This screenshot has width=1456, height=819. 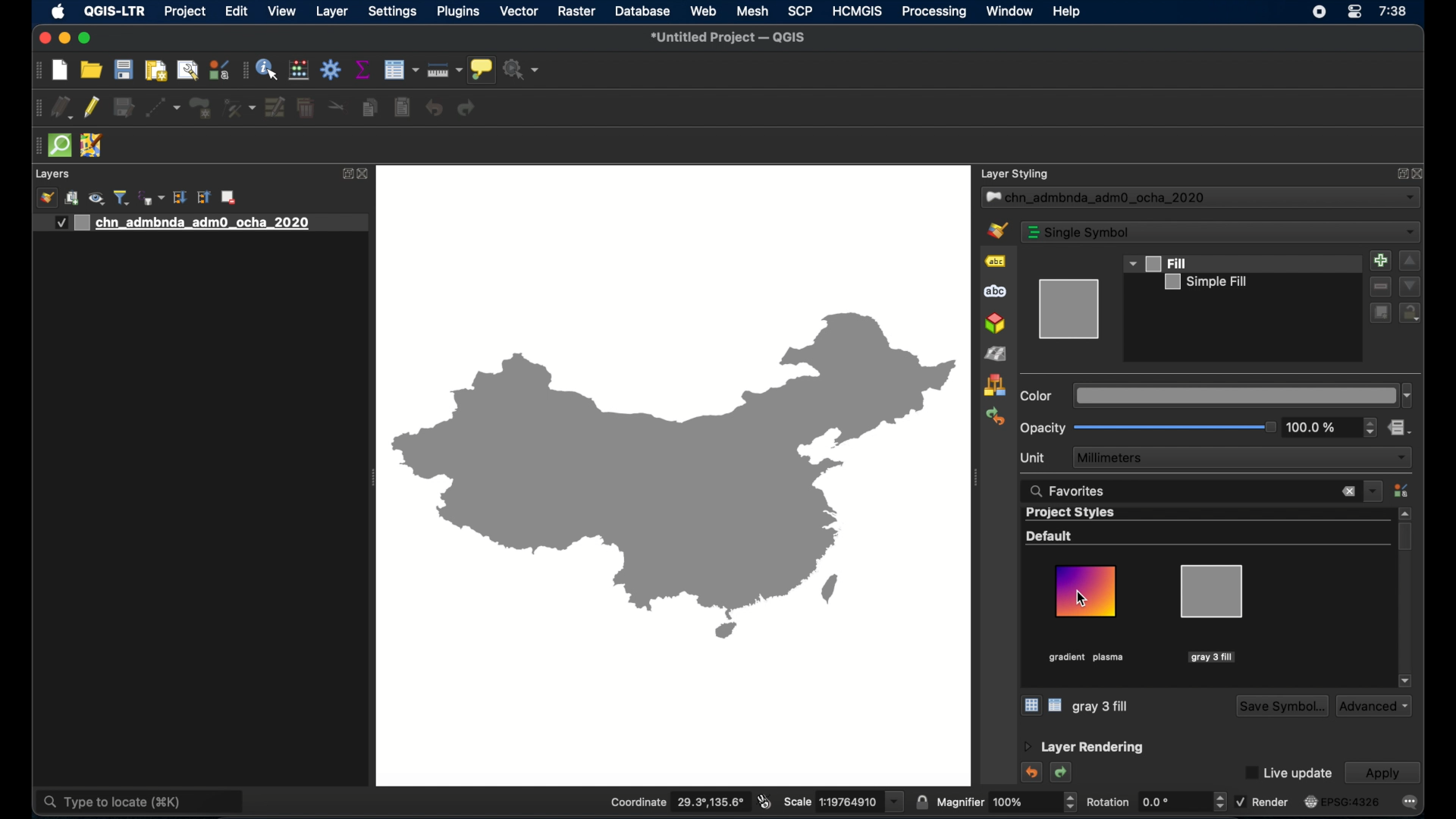 What do you see at coordinates (243, 71) in the screenshot?
I see `drag handle` at bounding box center [243, 71].